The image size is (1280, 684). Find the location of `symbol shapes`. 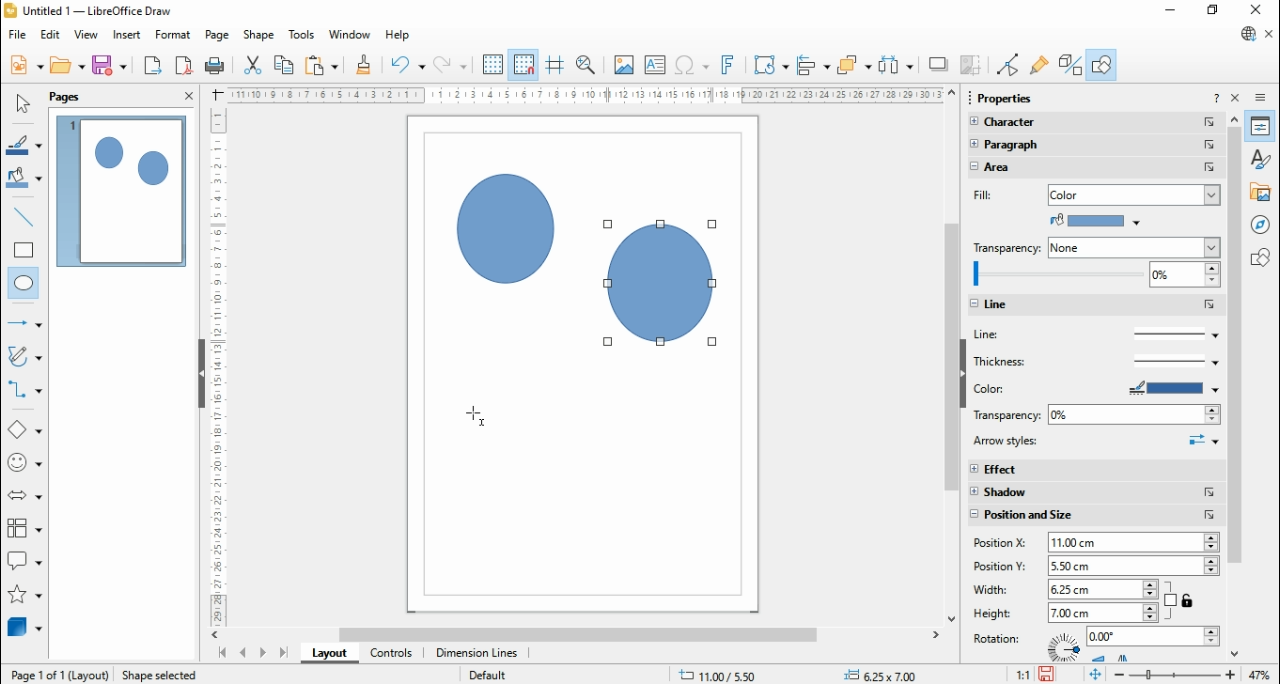

symbol shapes is located at coordinates (26, 465).